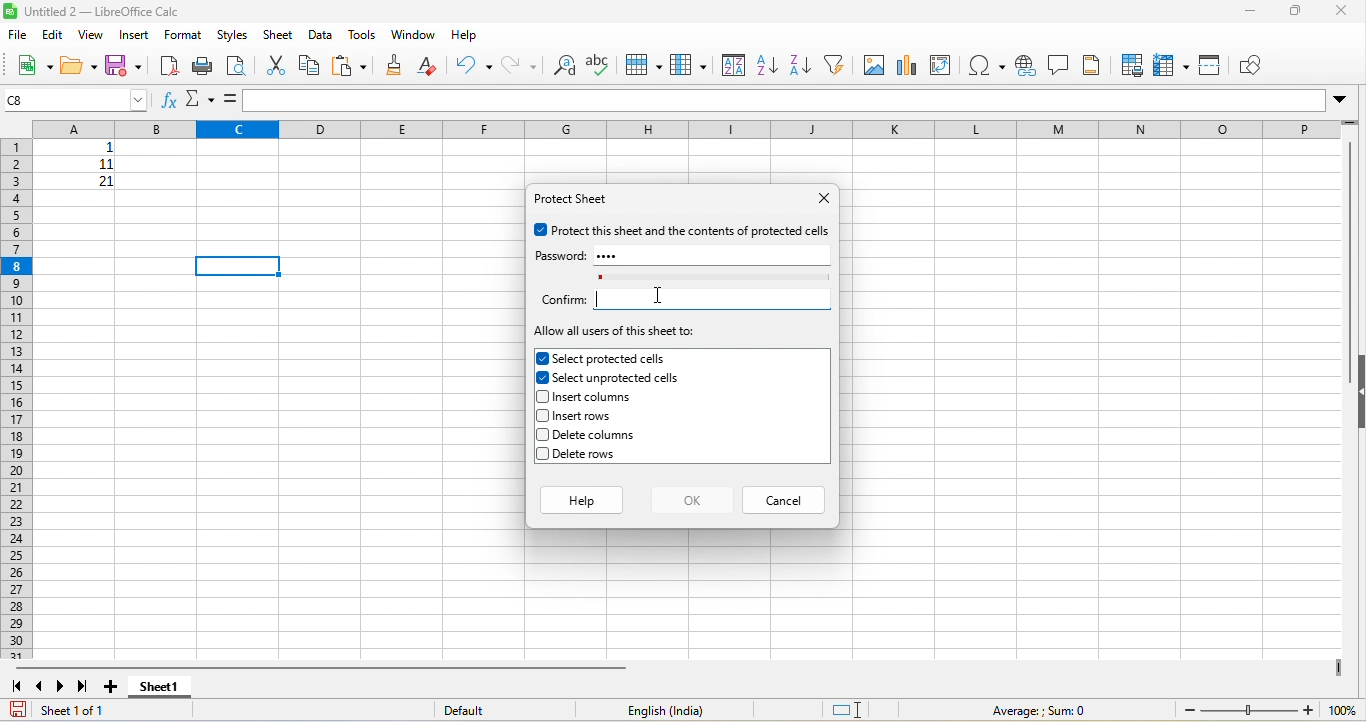  What do you see at coordinates (615, 437) in the screenshot?
I see `delete columns` at bounding box center [615, 437].